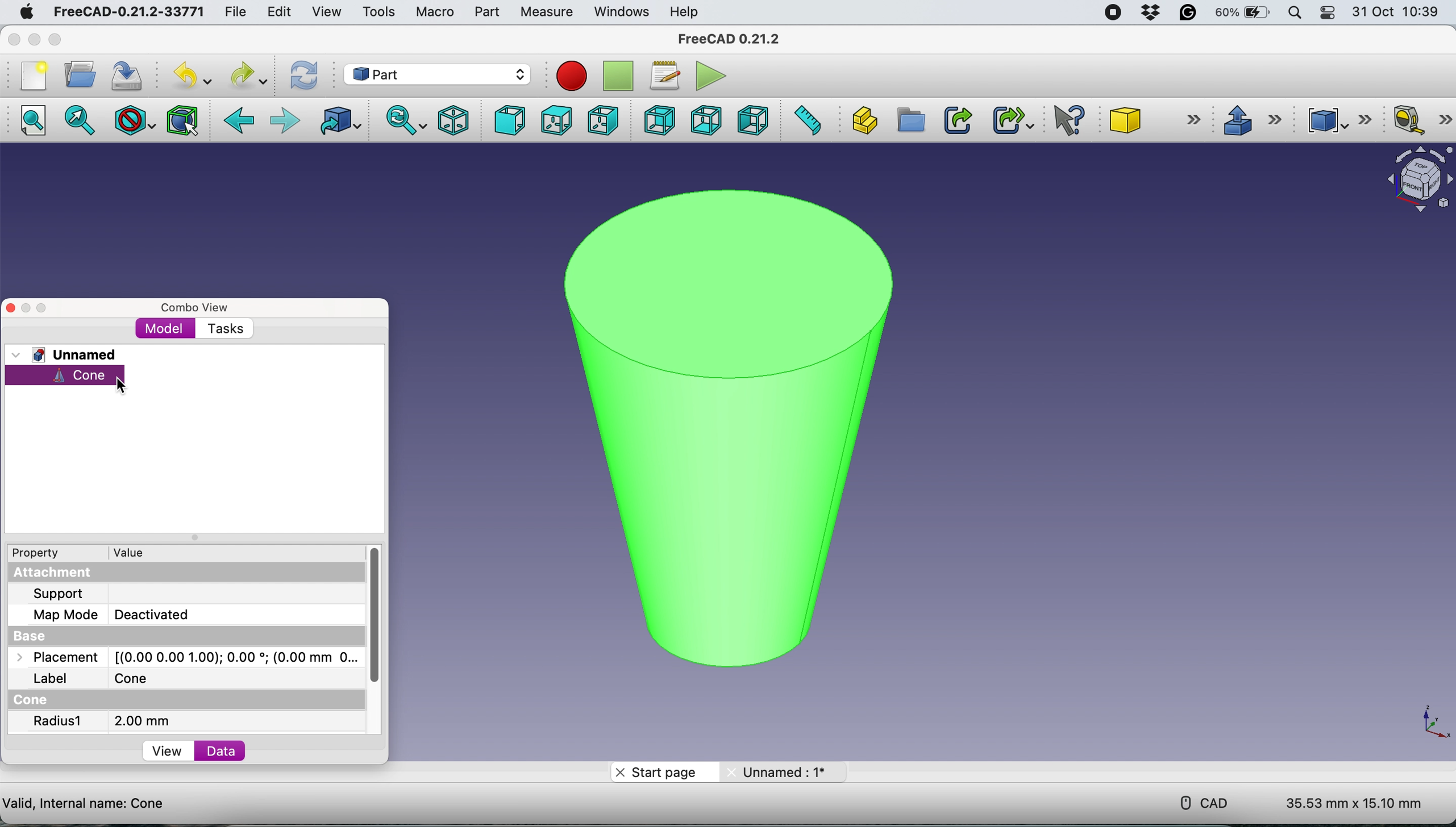  Describe the element at coordinates (326, 11) in the screenshot. I see `view` at that location.